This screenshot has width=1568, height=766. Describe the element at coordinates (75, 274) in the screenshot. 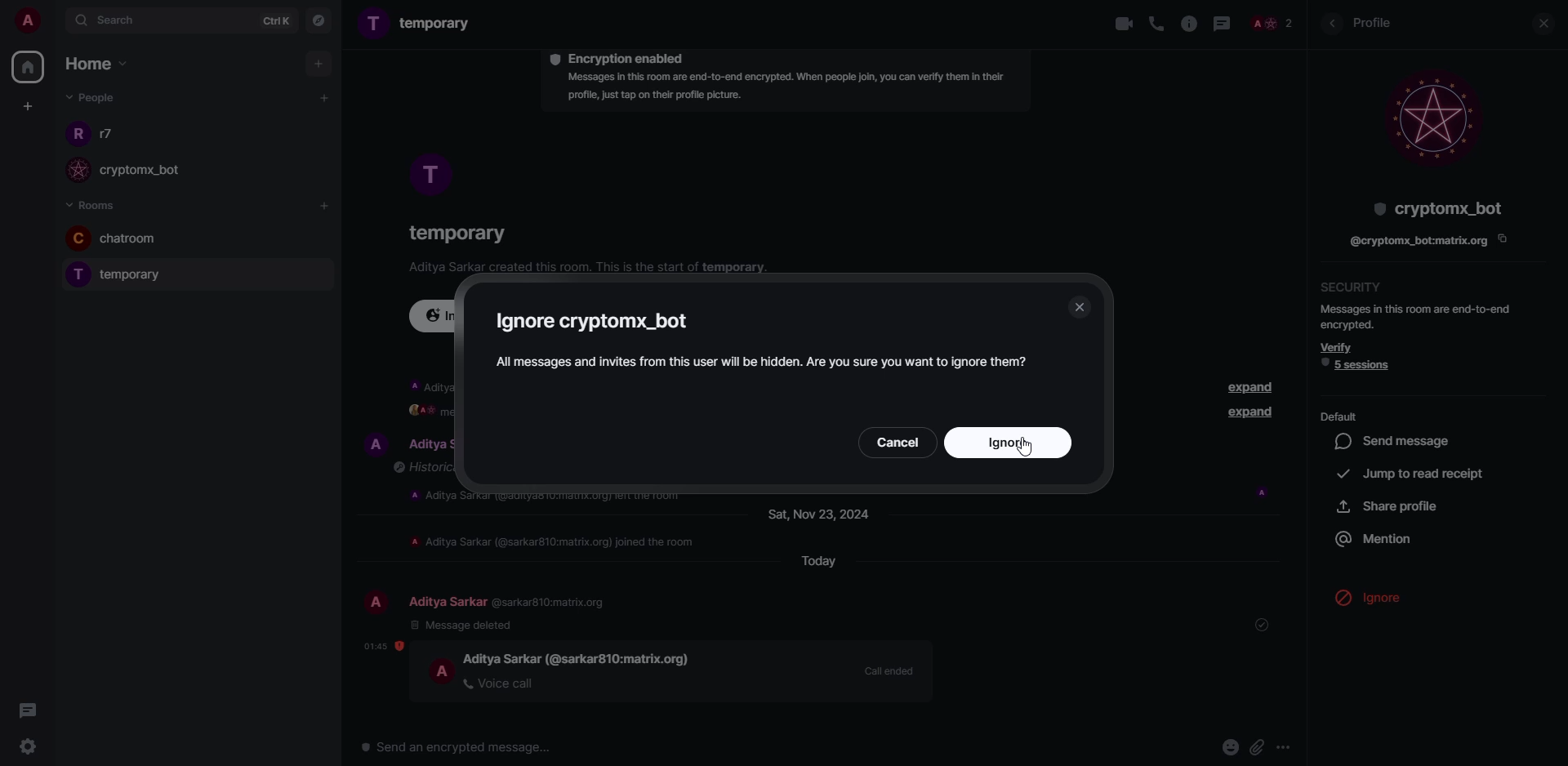

I see `profile` at that location.